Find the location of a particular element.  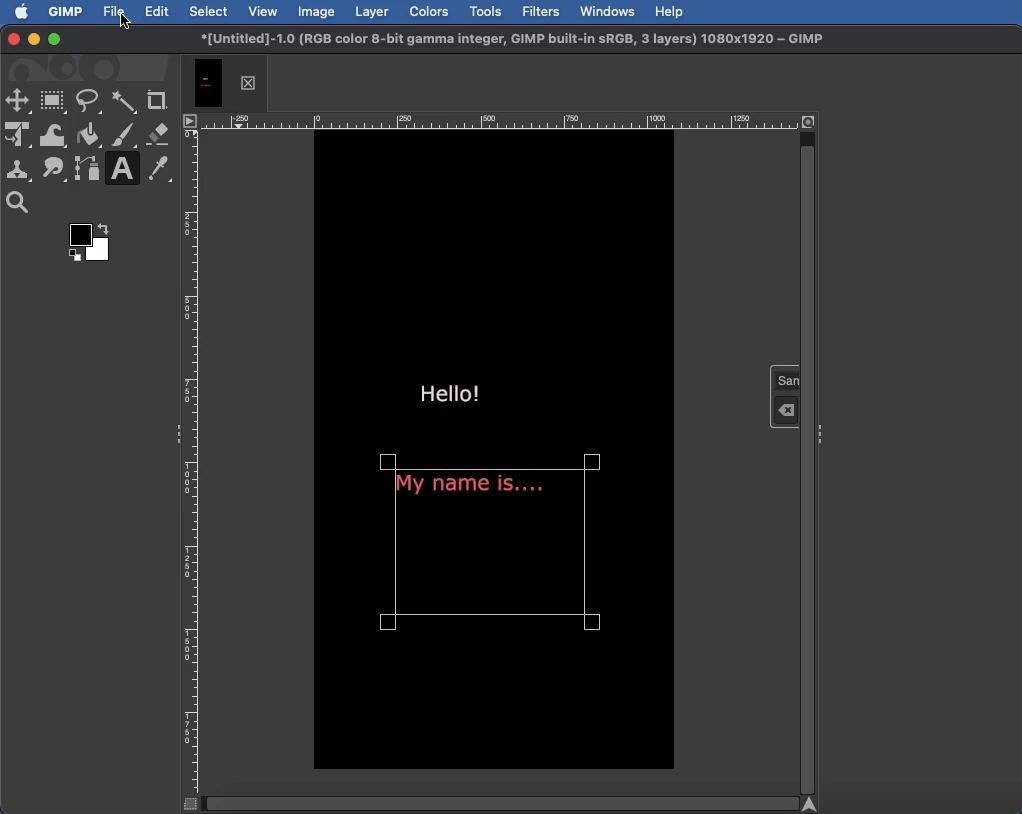

Scroll is located at coordinates (500, 805).